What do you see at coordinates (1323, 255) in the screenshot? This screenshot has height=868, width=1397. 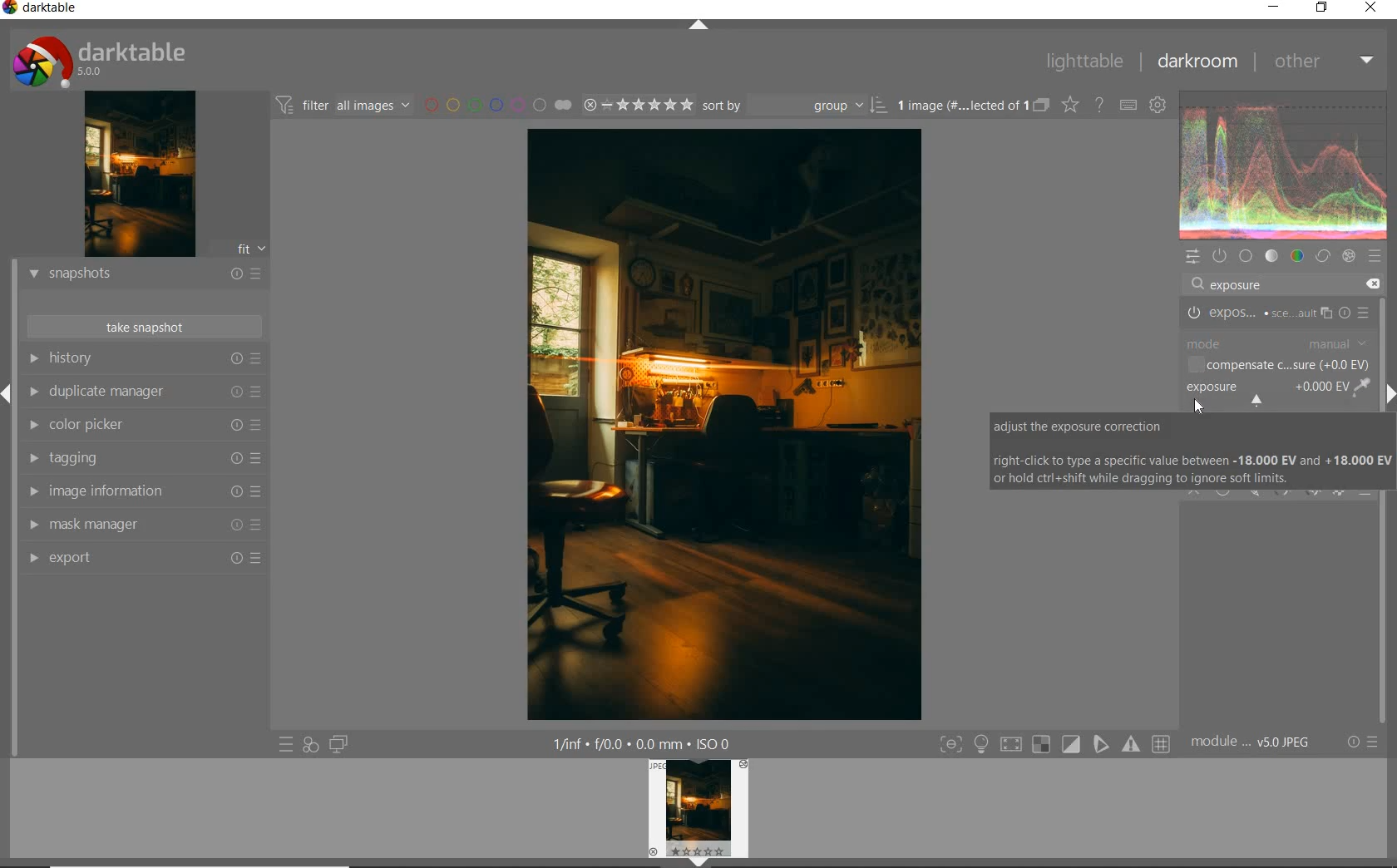 I see `correct` at bounding box center [1323, 255].